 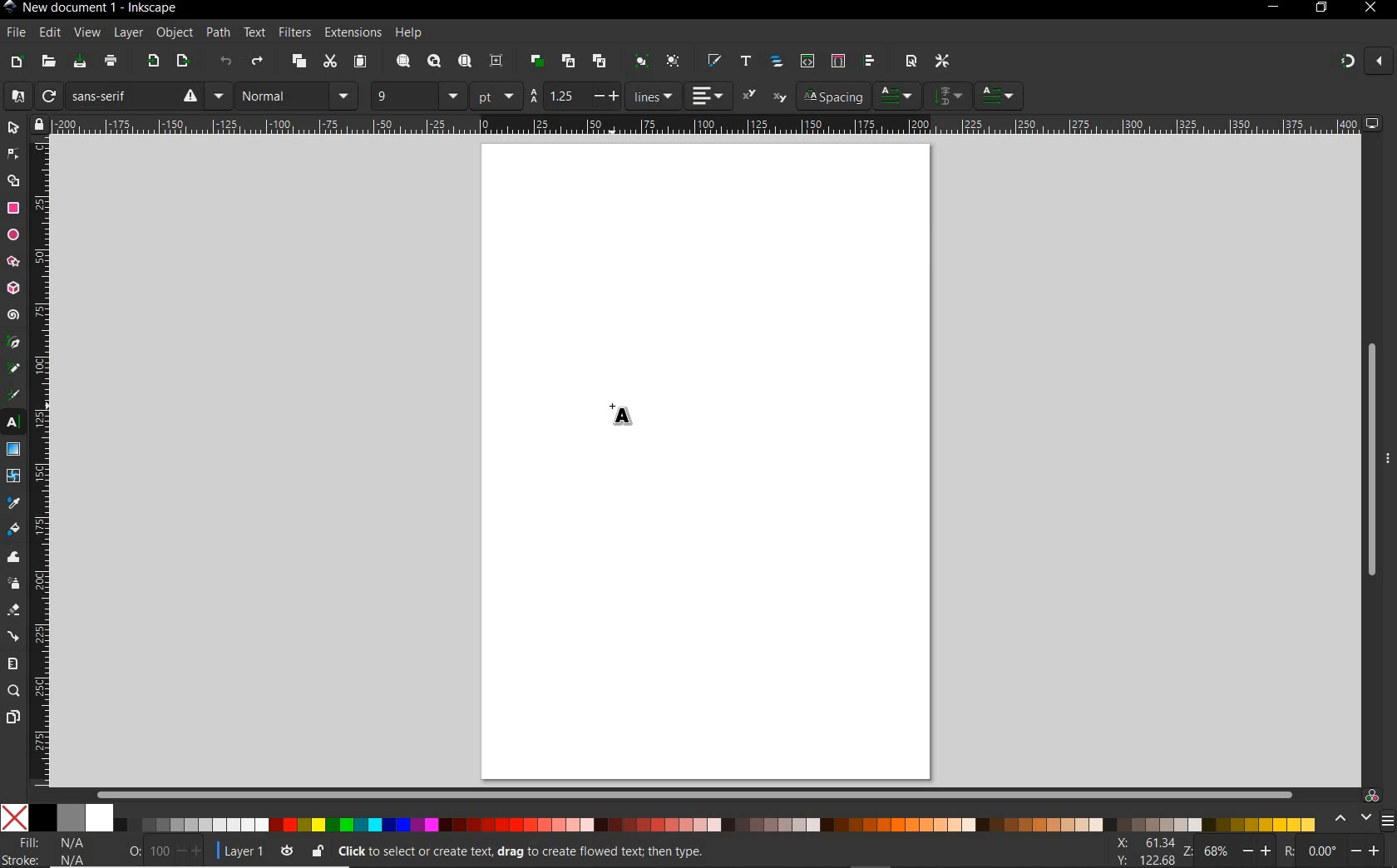 I want to click on lock or unlock, so click(x=317, y=851).